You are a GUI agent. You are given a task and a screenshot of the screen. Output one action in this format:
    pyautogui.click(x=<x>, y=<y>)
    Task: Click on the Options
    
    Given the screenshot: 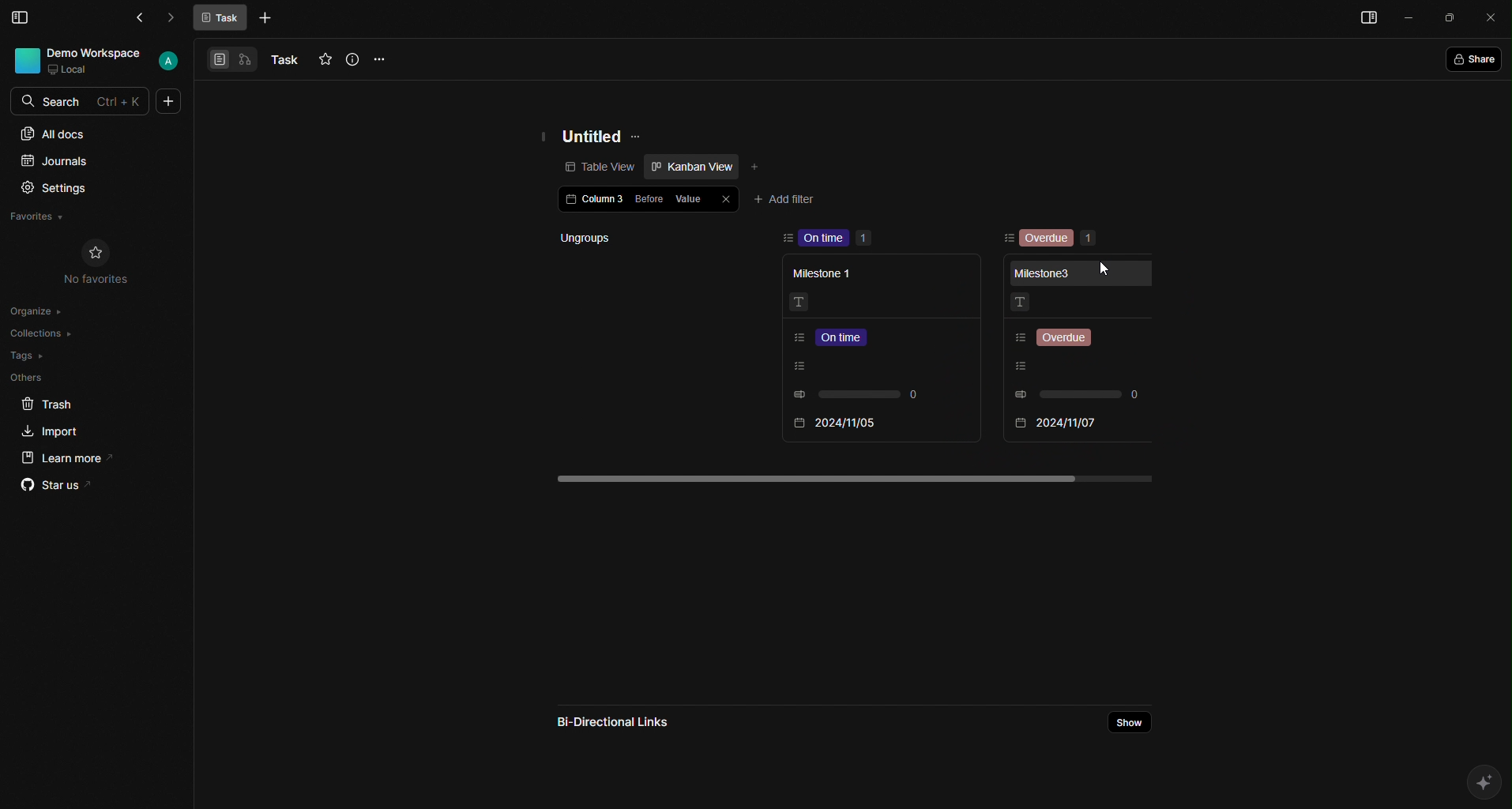 What is the action you would take?
    pyautogui.click(x=381, y=58)
    